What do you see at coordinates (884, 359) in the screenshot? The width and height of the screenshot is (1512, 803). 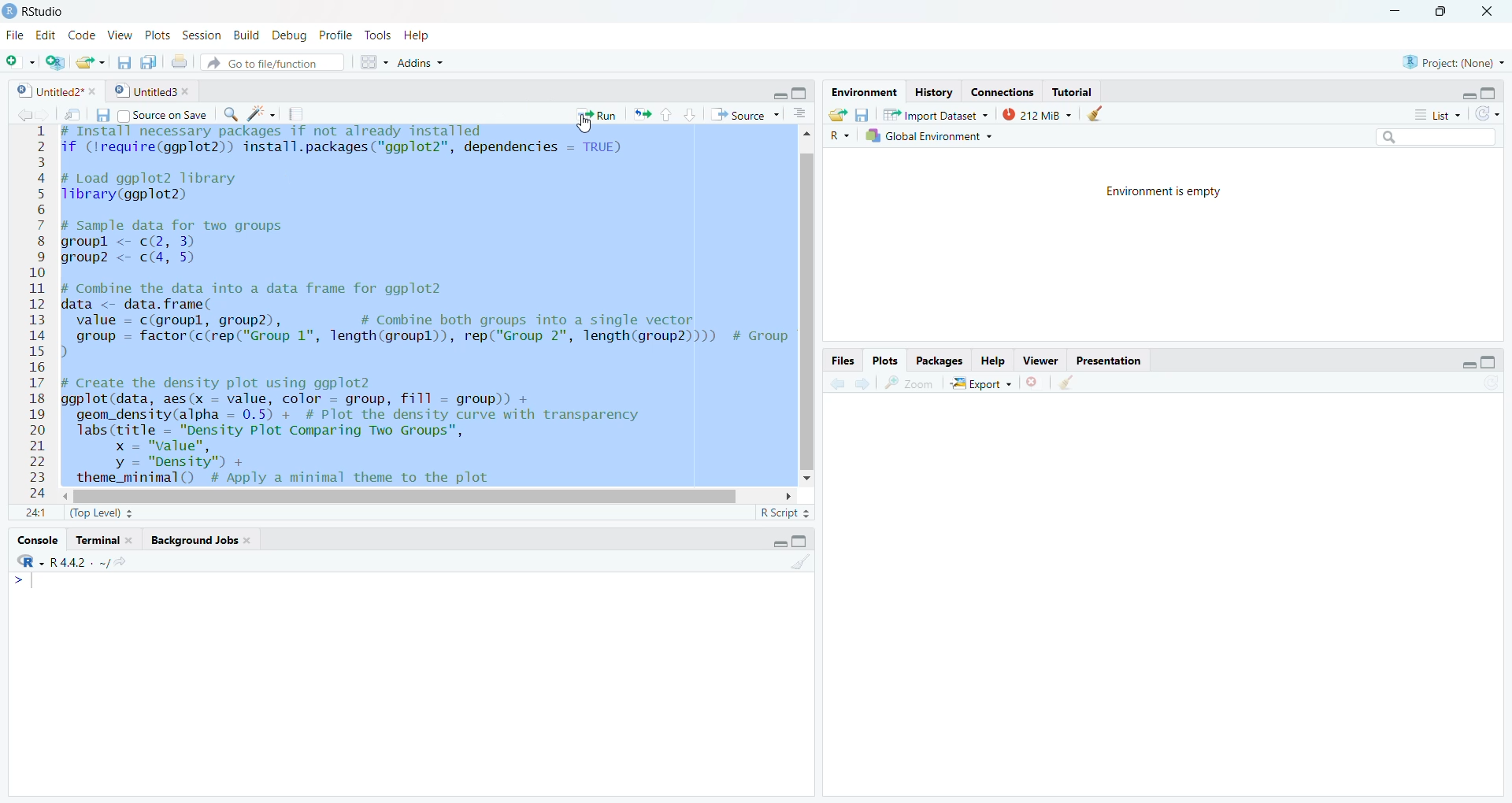 I see `plots` at bounding box center [884, 359].